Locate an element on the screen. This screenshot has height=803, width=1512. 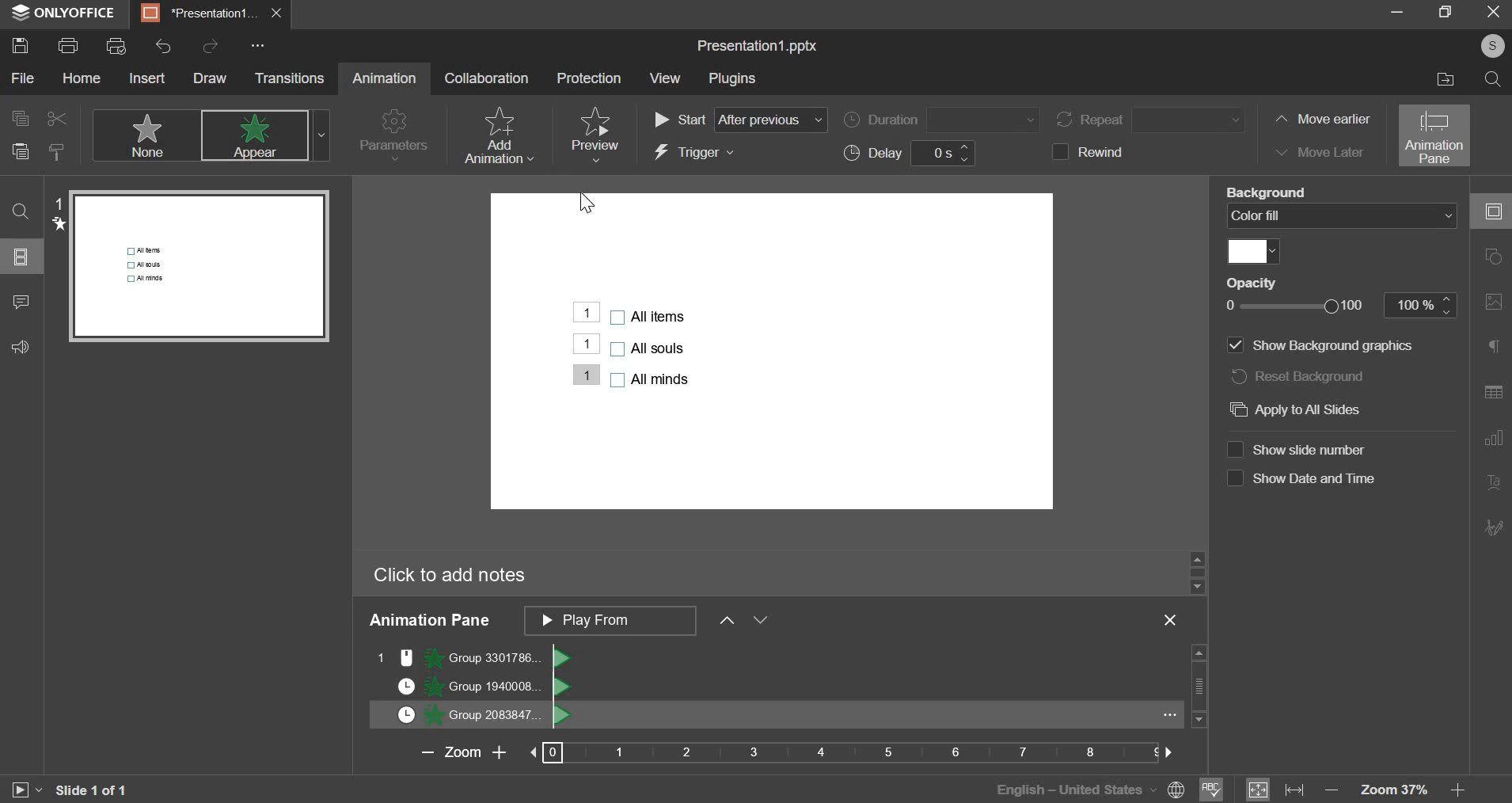
transitions is located at coordinates (289, 78).